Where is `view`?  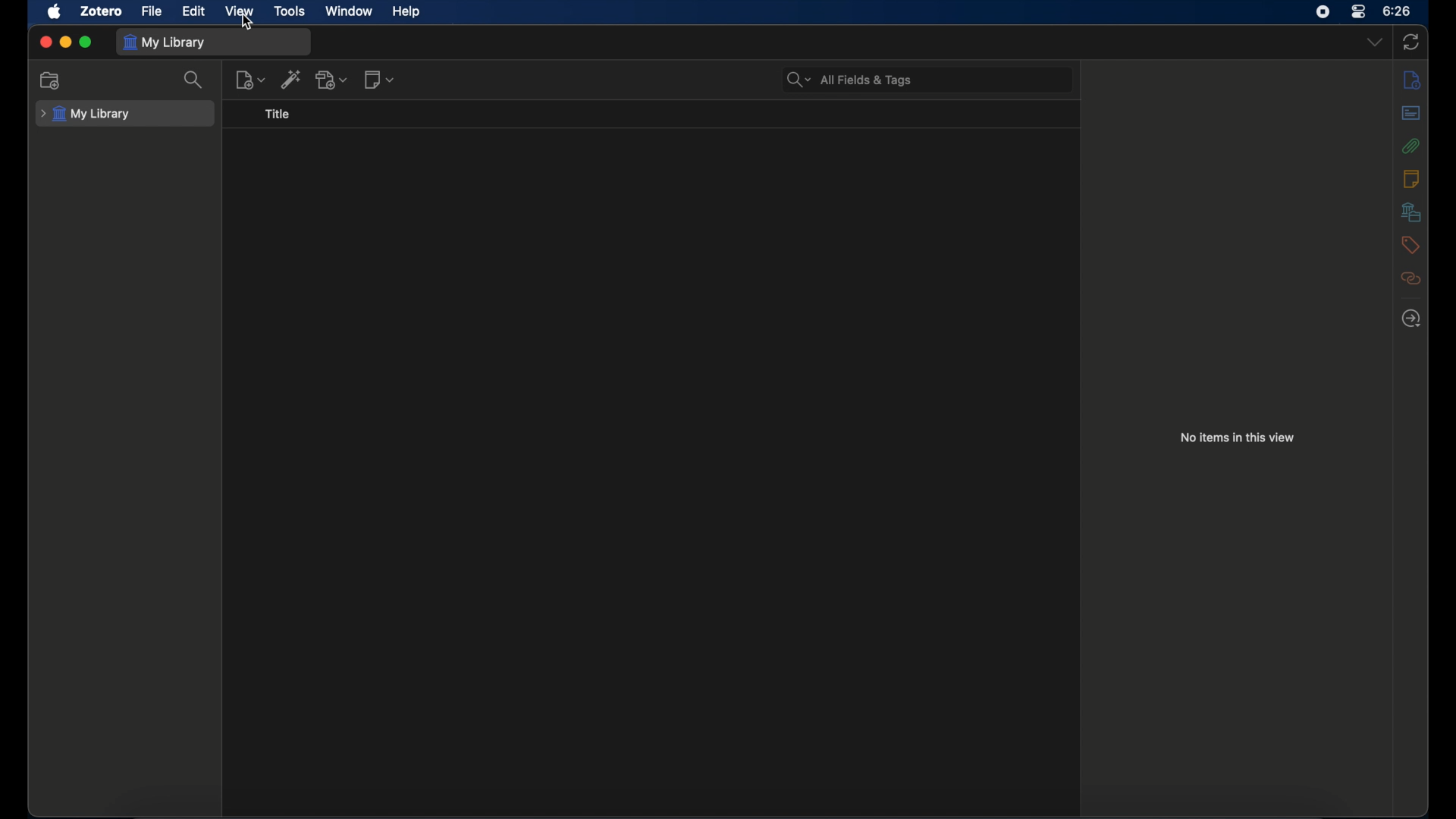 view is located at coordinates (240, 11).